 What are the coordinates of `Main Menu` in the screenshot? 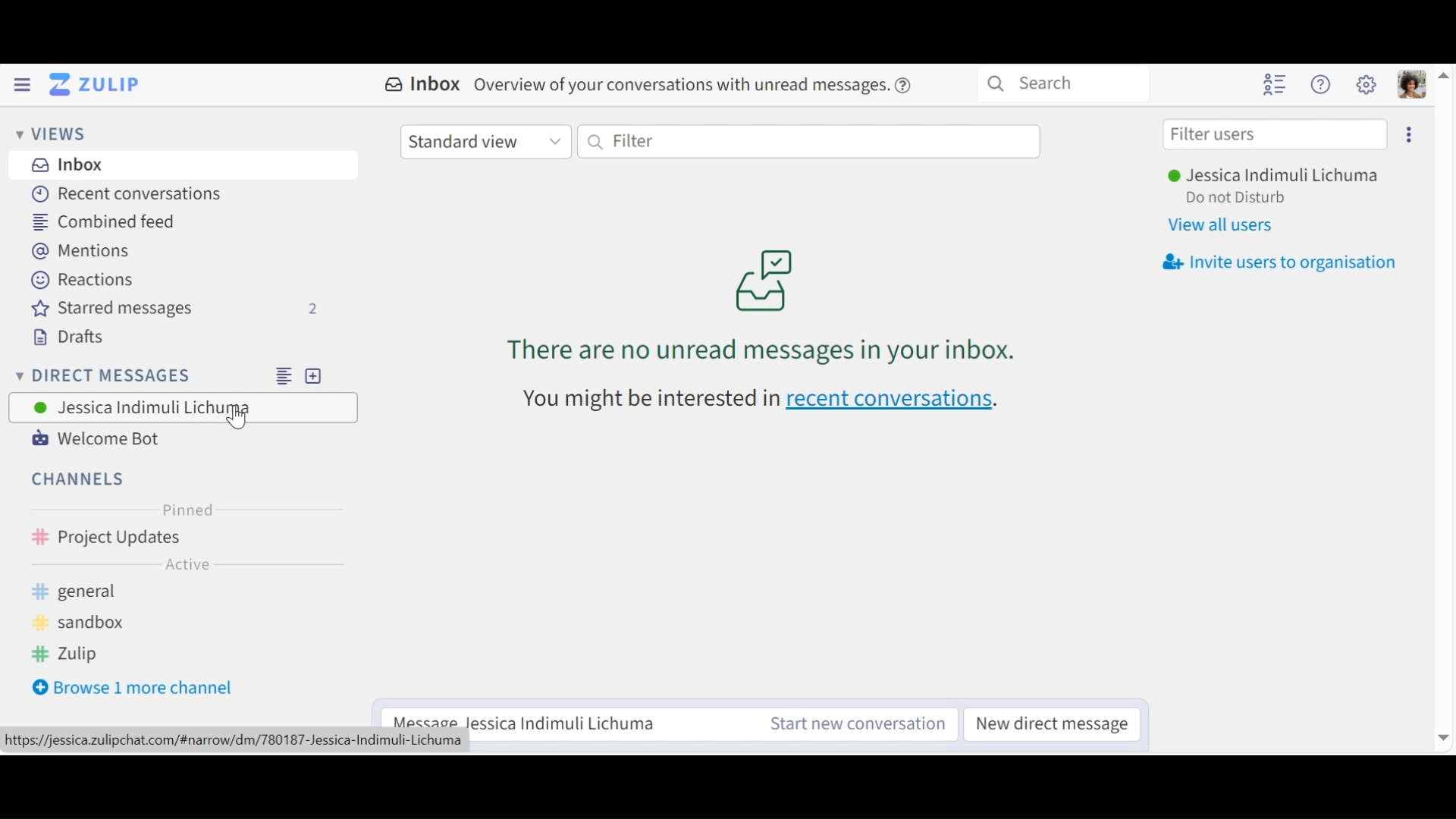 It's located at (1366, 84).